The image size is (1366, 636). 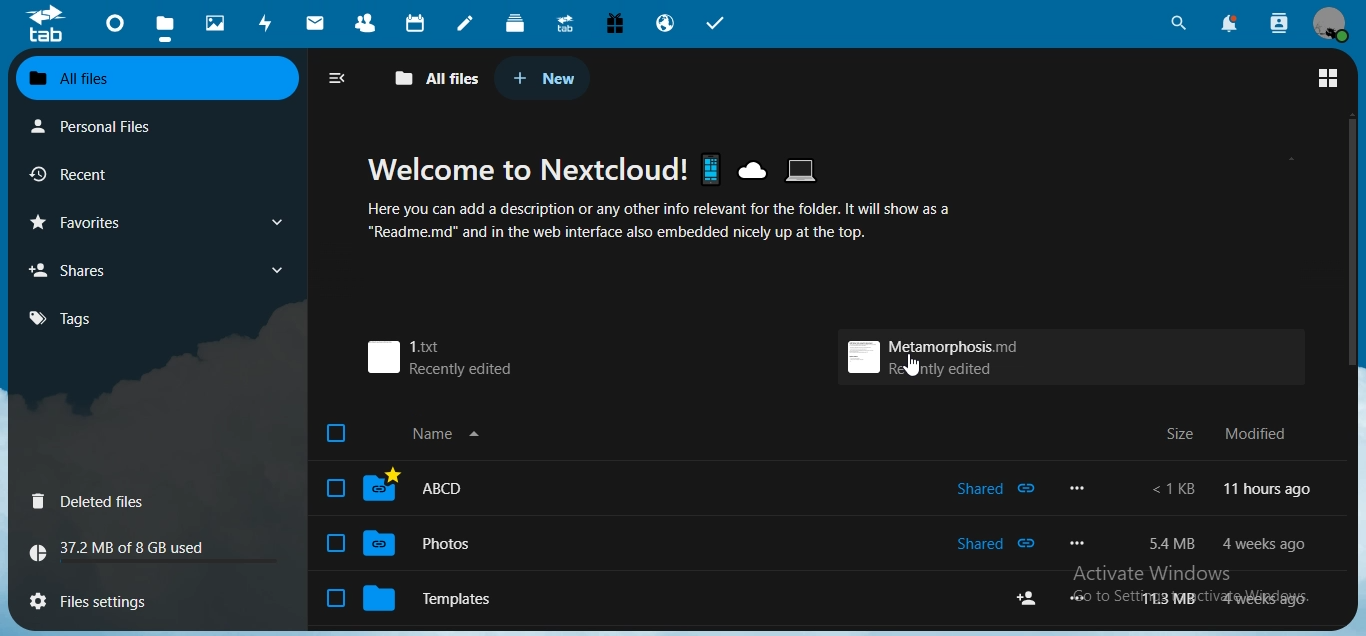 I want to click on tags, so click(x=68, y=320).